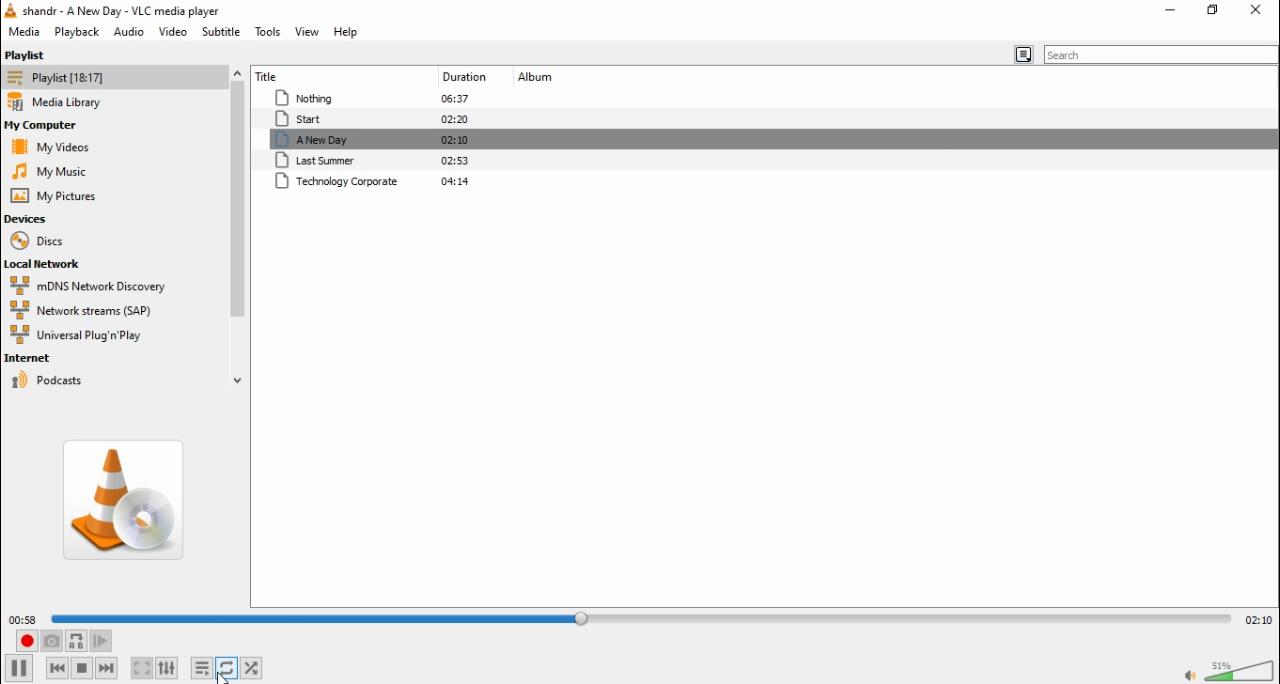 Image resolution: width=1280 pixels, height=684 pixels. I want to click on subtitle, so click(220, 32).